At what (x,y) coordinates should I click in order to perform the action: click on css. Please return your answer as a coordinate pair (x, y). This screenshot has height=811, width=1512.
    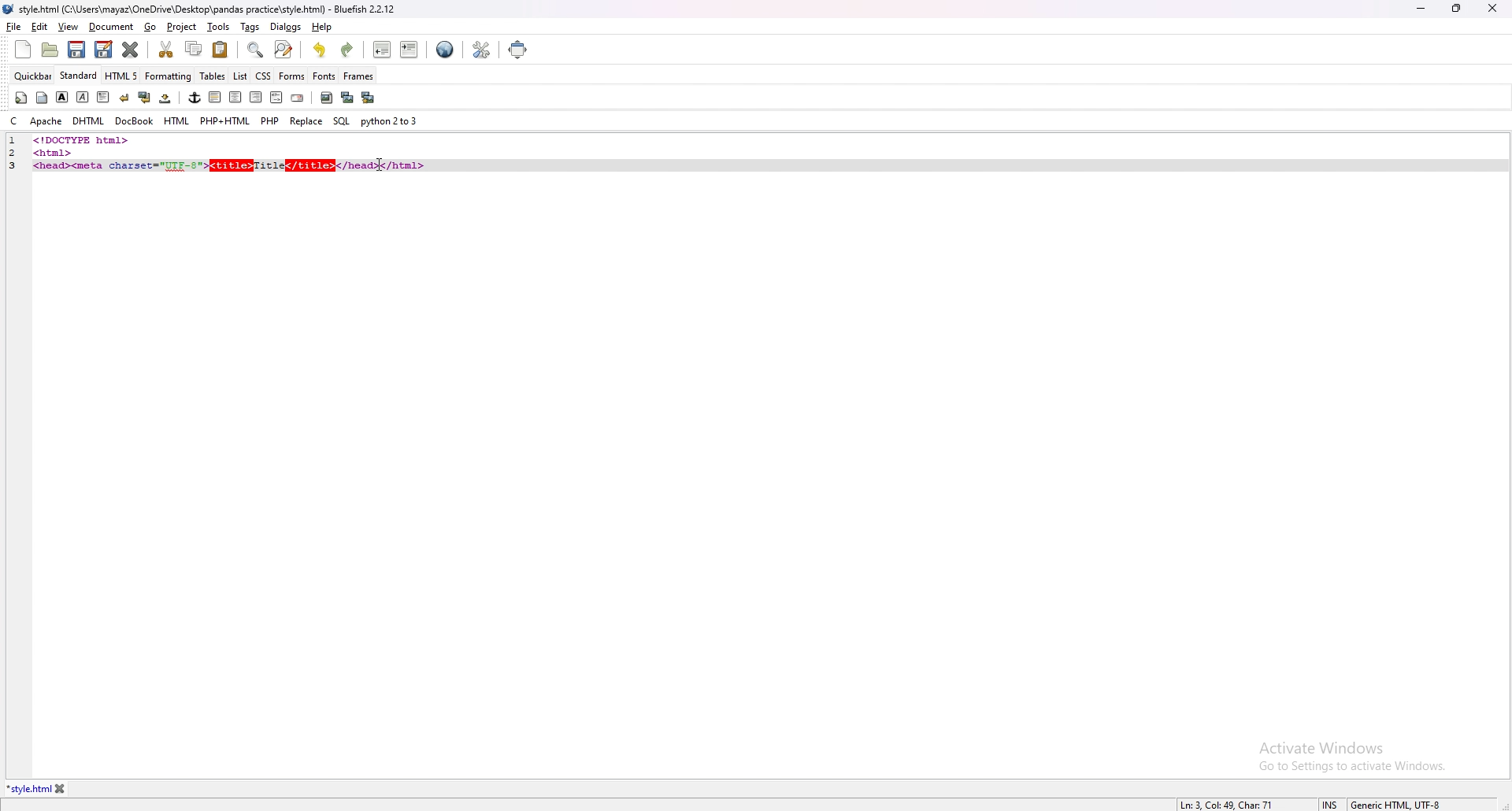
    Looking at the image, I should click on (264, 75).